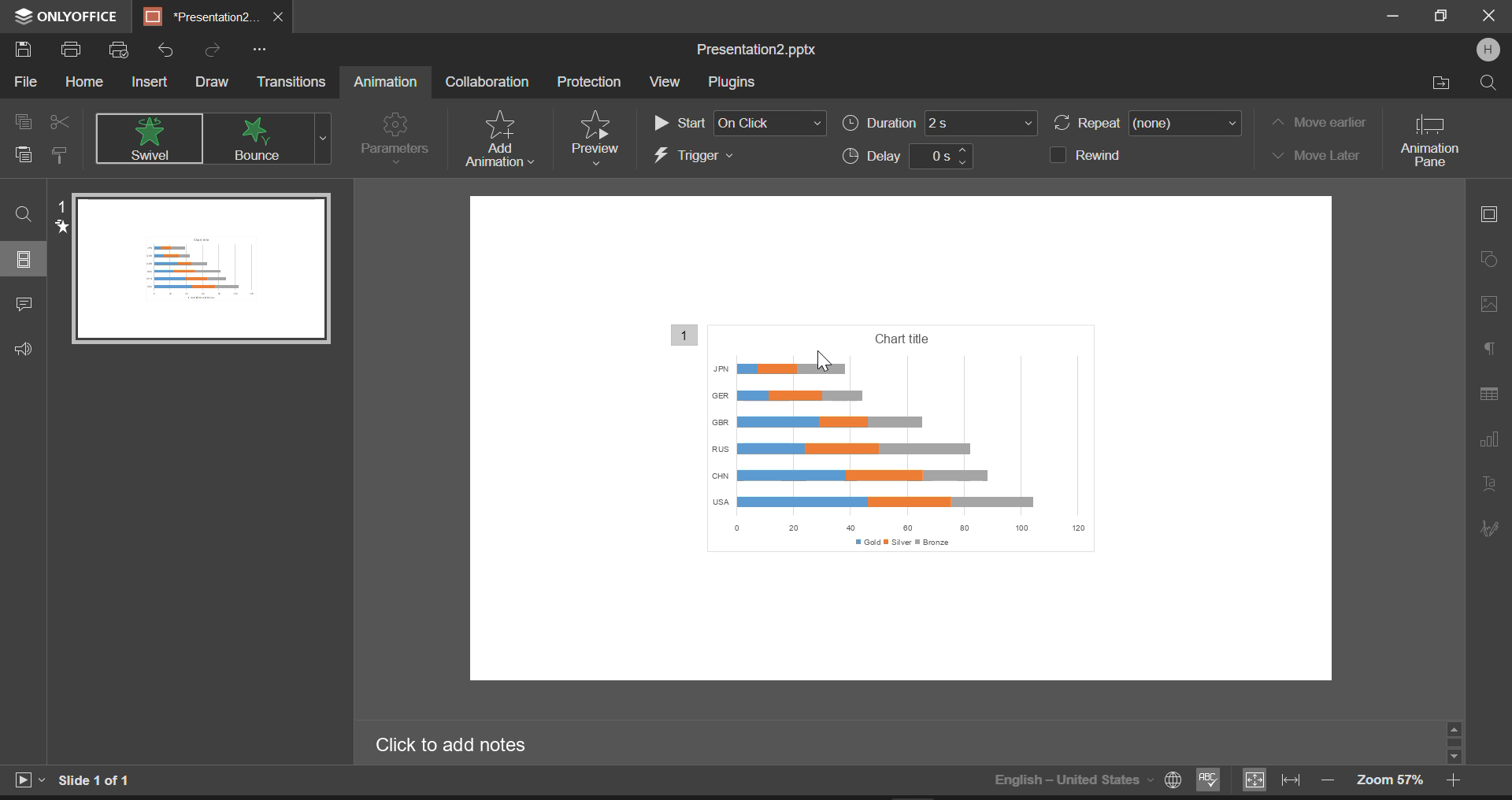  Describe the element at coordinates (150, 80) in the screenshot. I see `Insert` at that location.